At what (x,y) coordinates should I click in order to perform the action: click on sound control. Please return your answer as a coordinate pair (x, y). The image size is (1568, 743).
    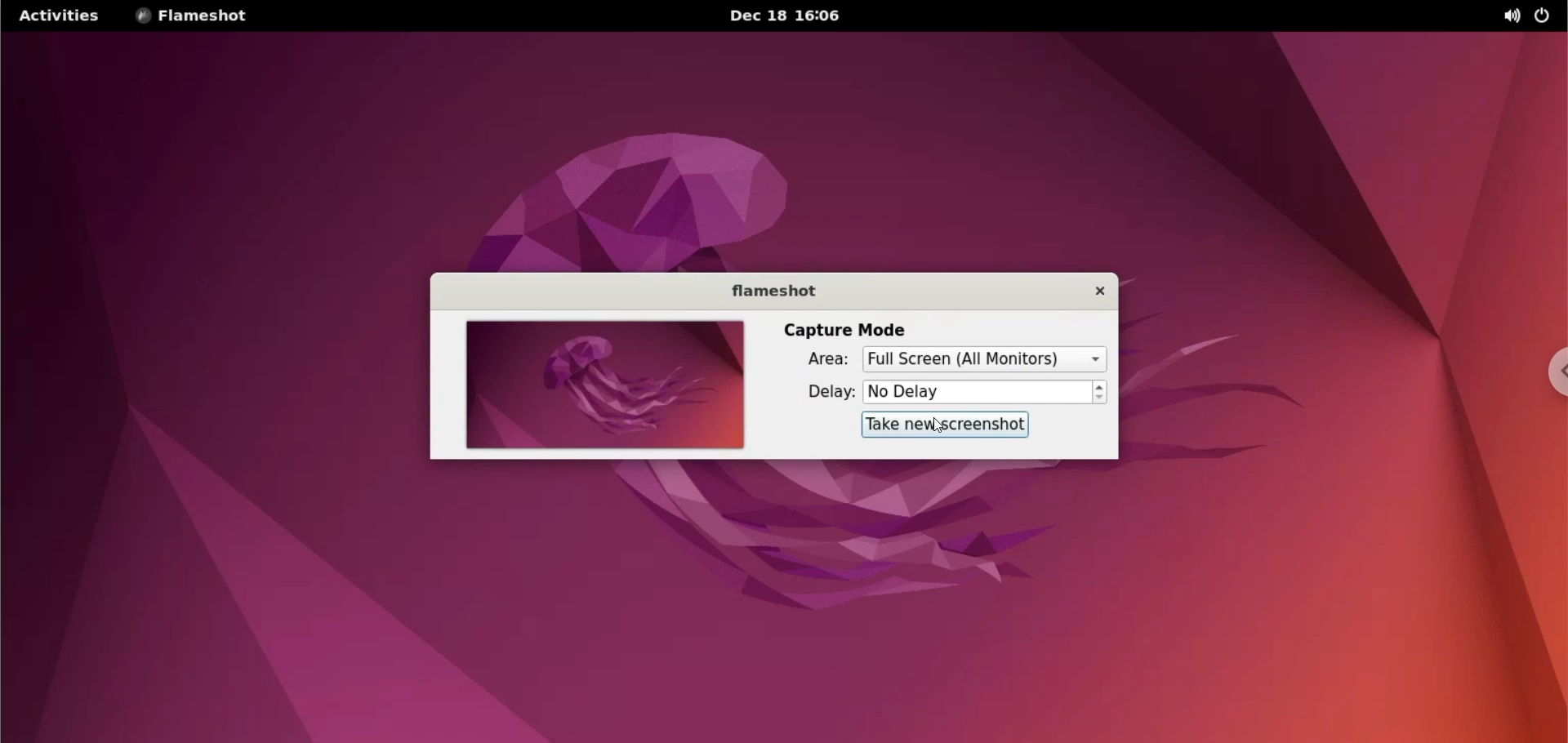
    Looking at the image, I should click on (1516, 17).